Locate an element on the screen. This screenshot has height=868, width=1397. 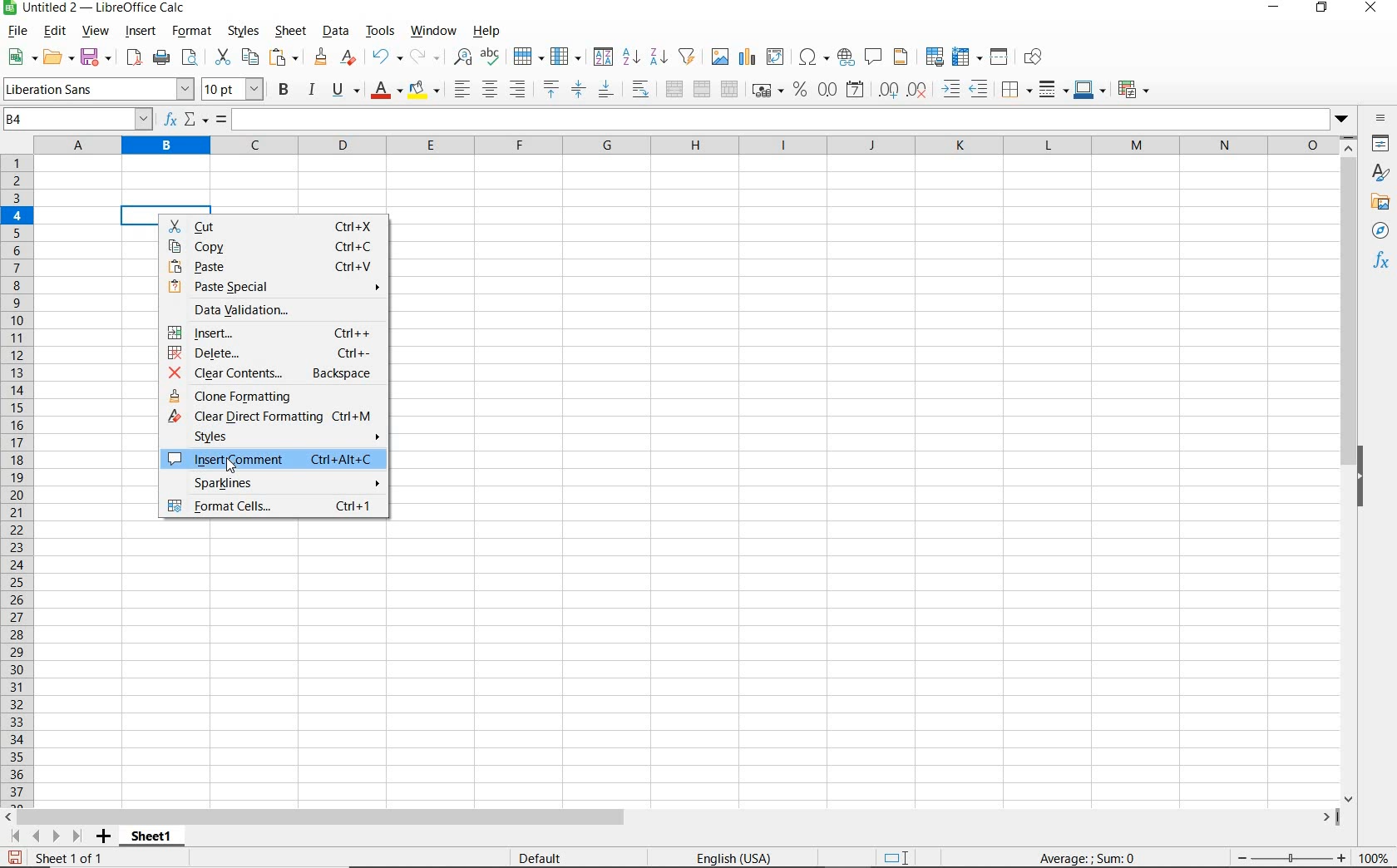
row is located at coordinates (528, 56).